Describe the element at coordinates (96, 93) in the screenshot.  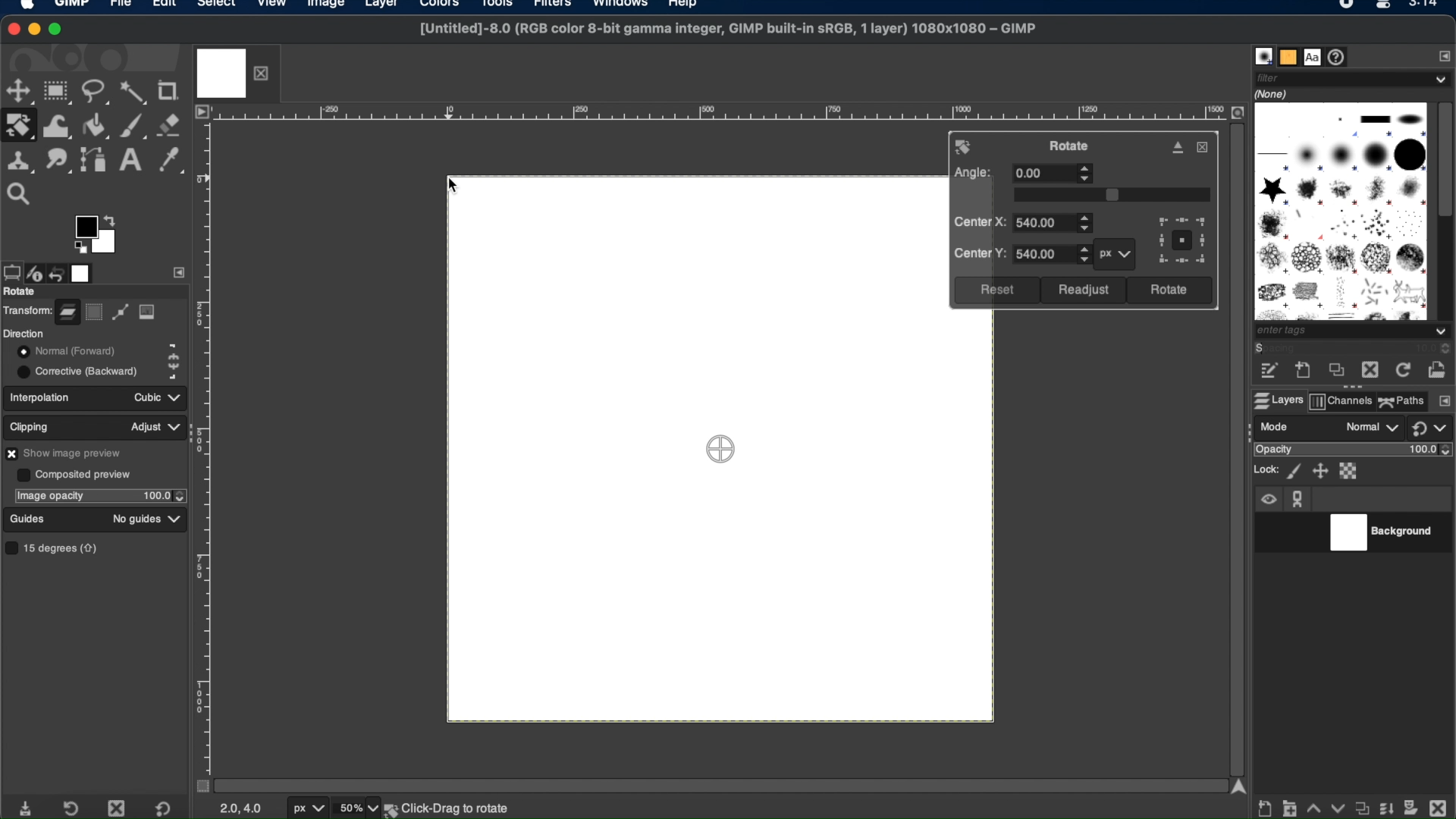
I see `free select tool` at that location.